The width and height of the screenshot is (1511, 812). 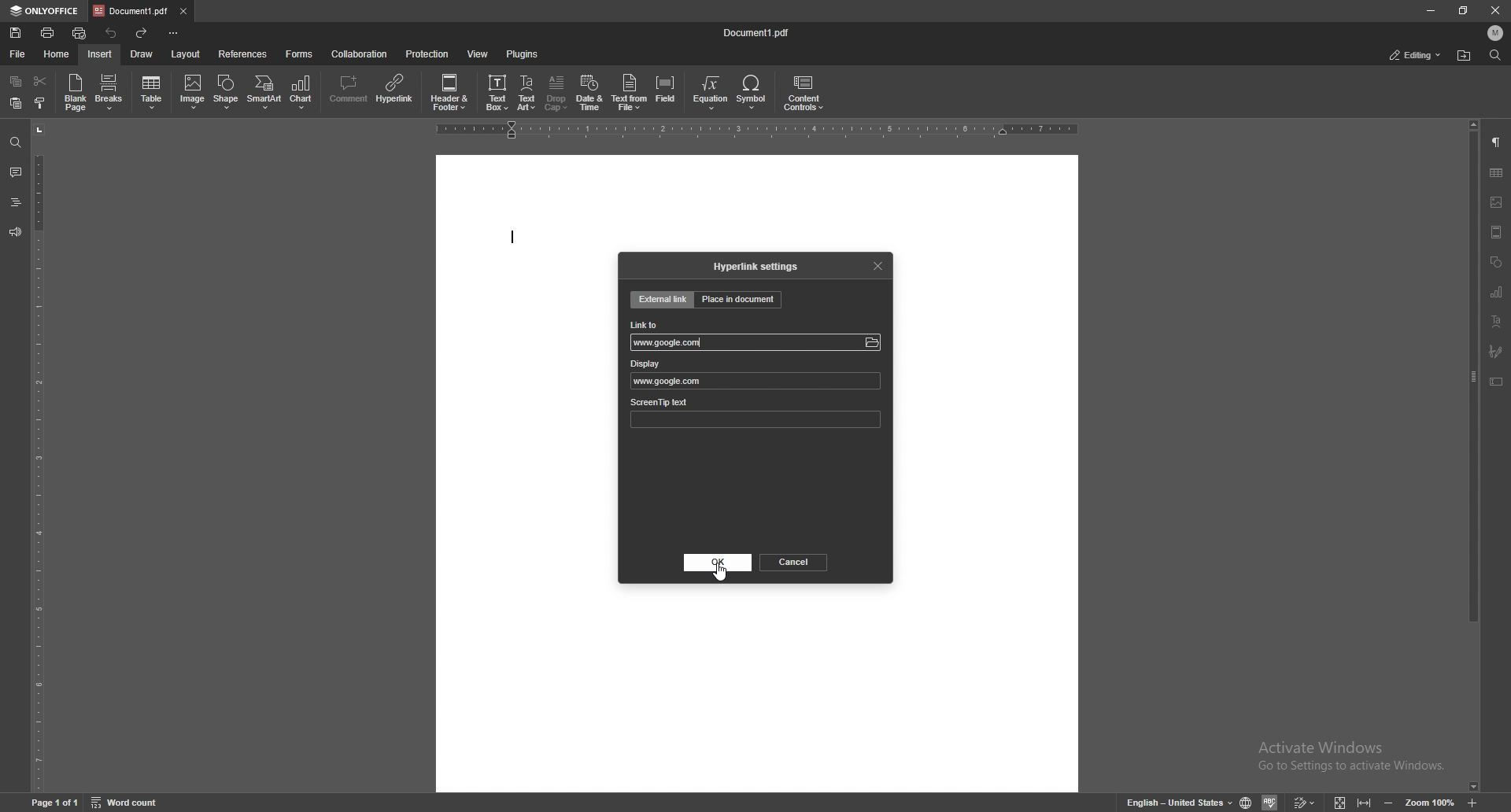 I want to click on print, so click(x=49, y=32).